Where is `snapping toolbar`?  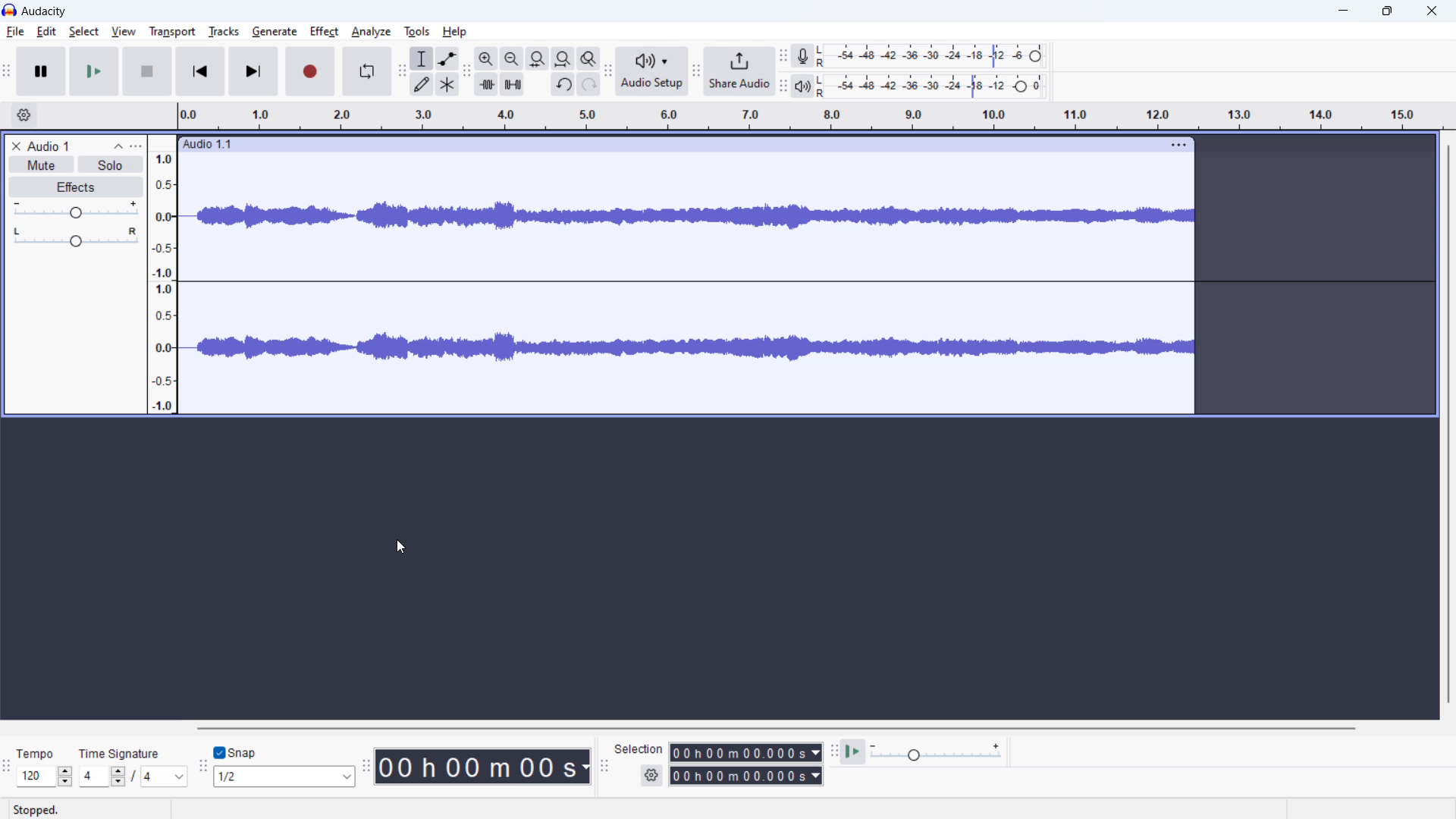 snapping toolbar is located at coordinates (202, 766).